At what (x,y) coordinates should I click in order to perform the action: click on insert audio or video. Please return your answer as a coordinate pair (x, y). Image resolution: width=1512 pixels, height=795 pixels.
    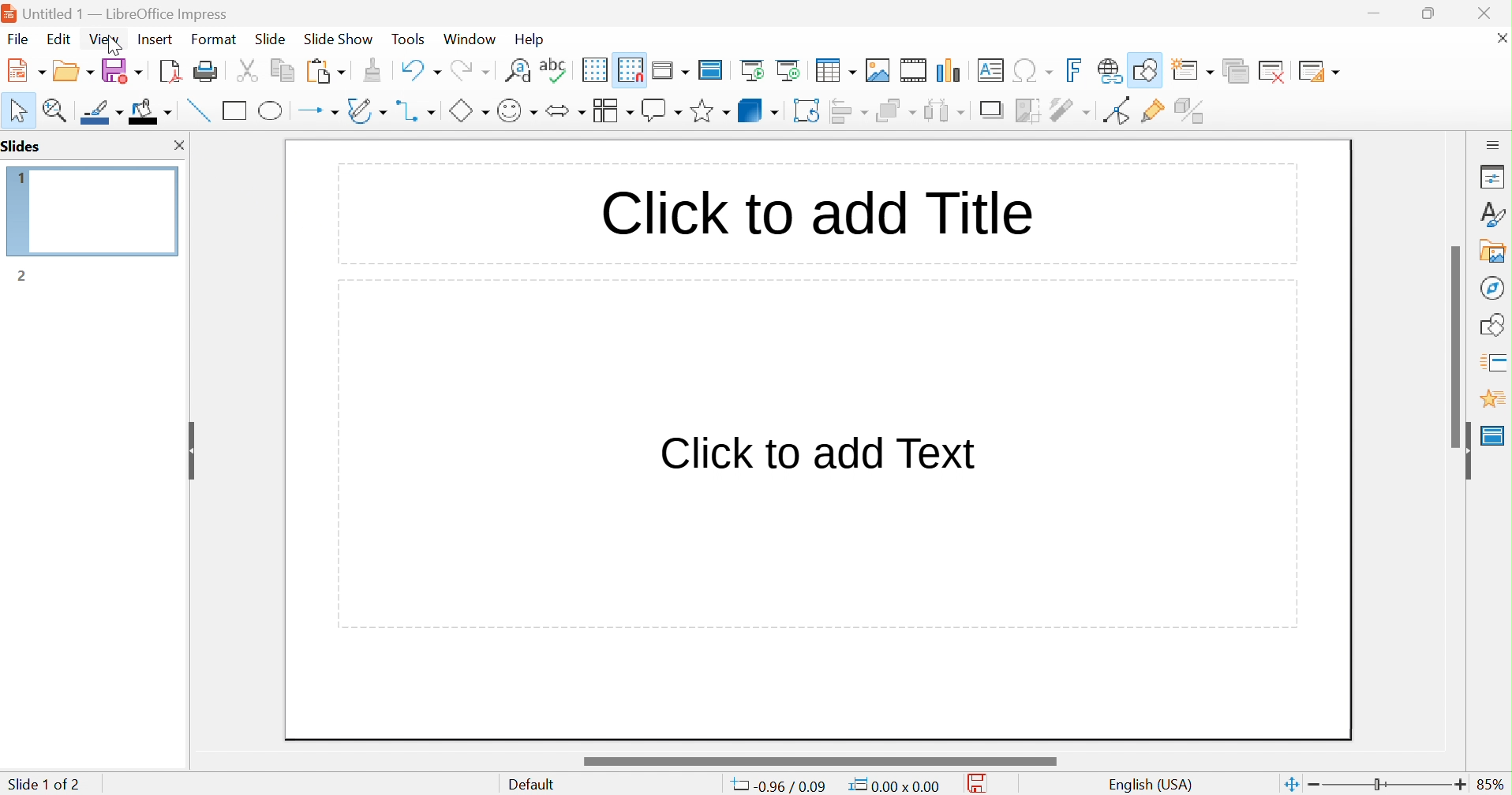
    Looking at the image, I should click on (912, 70).